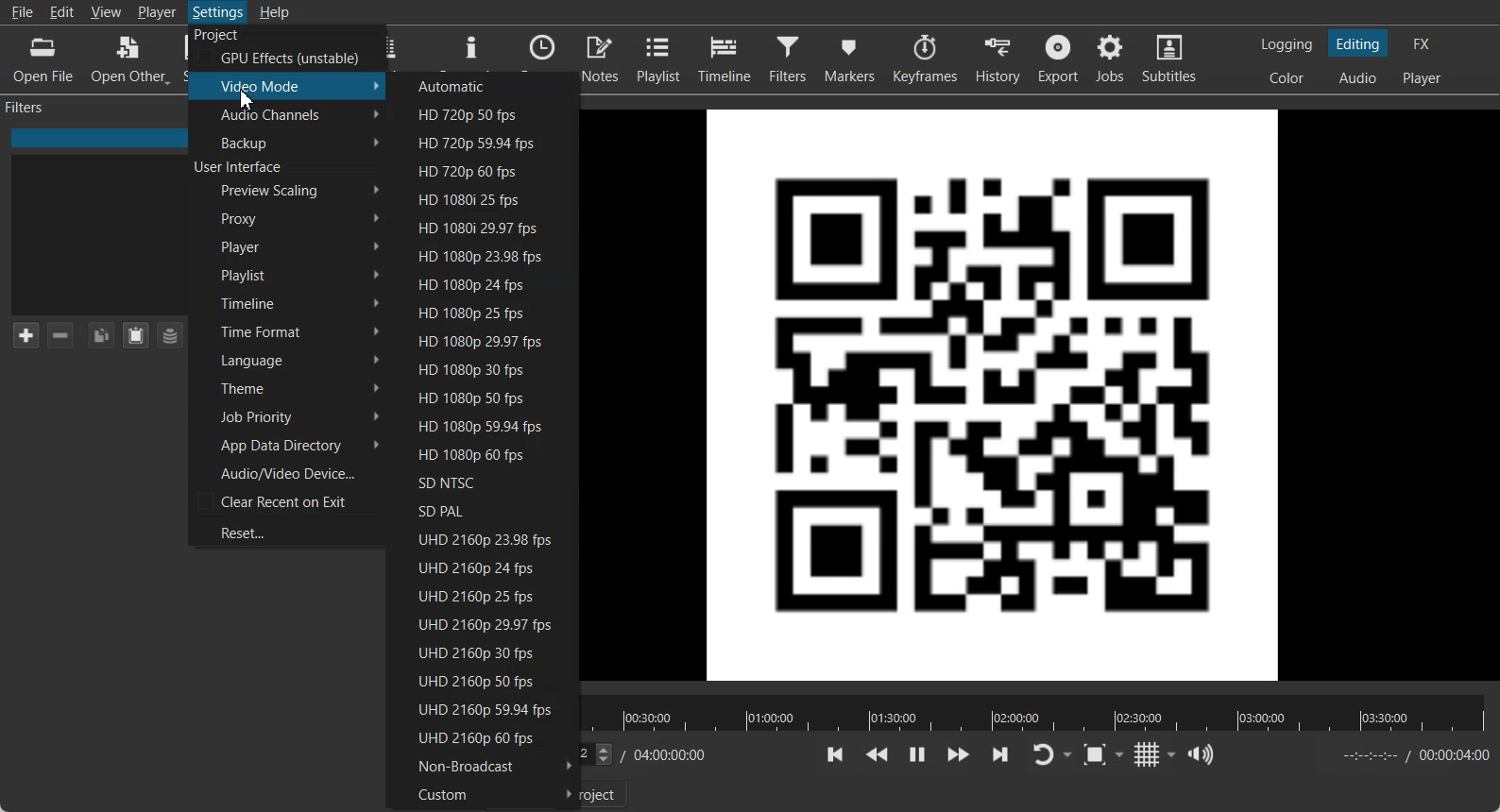  I want to click on Proxy, so click(288, 218).